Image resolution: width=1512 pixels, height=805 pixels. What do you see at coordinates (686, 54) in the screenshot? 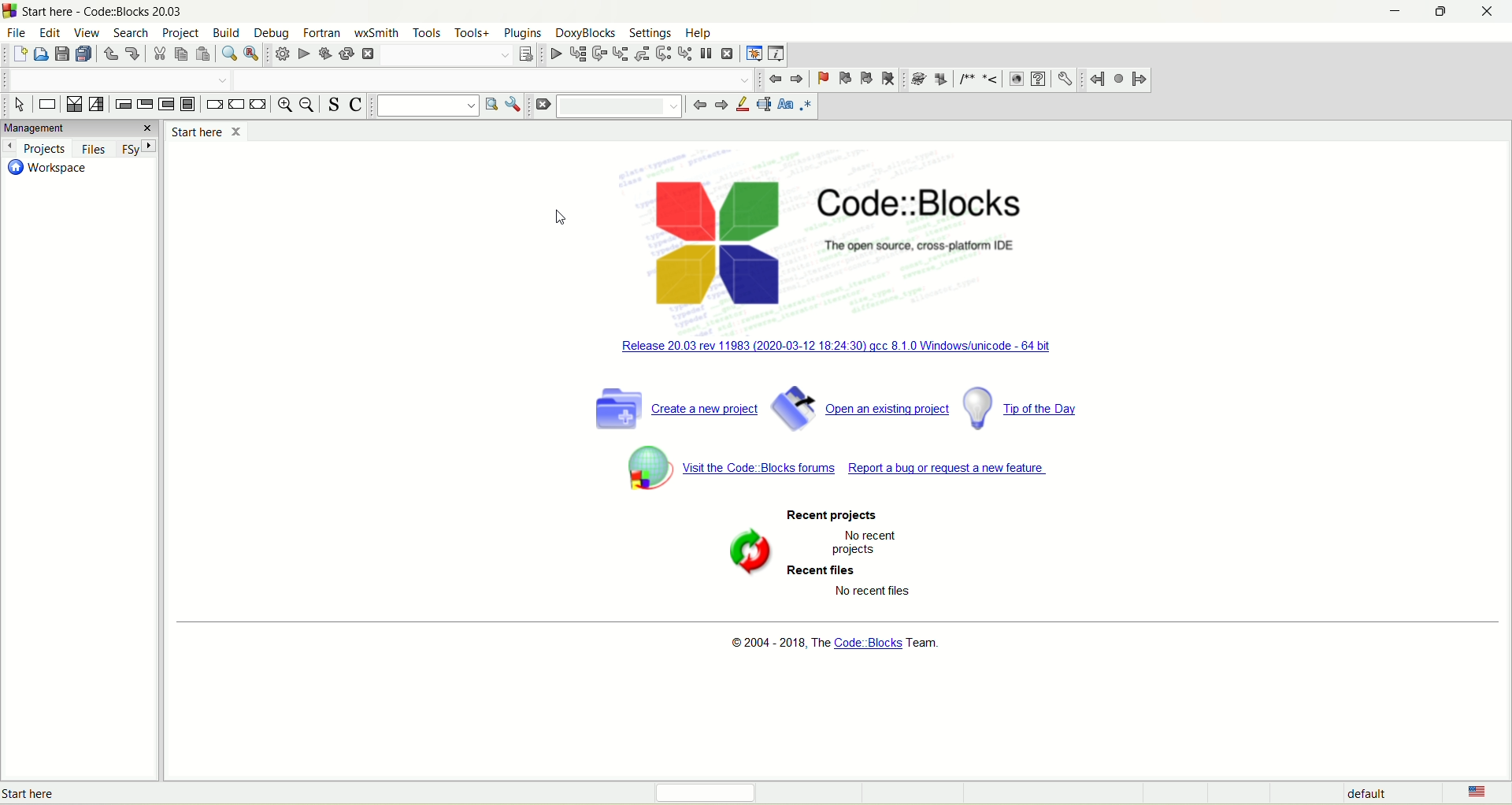
I see `step into instruction` at bounding box center [686, 54].